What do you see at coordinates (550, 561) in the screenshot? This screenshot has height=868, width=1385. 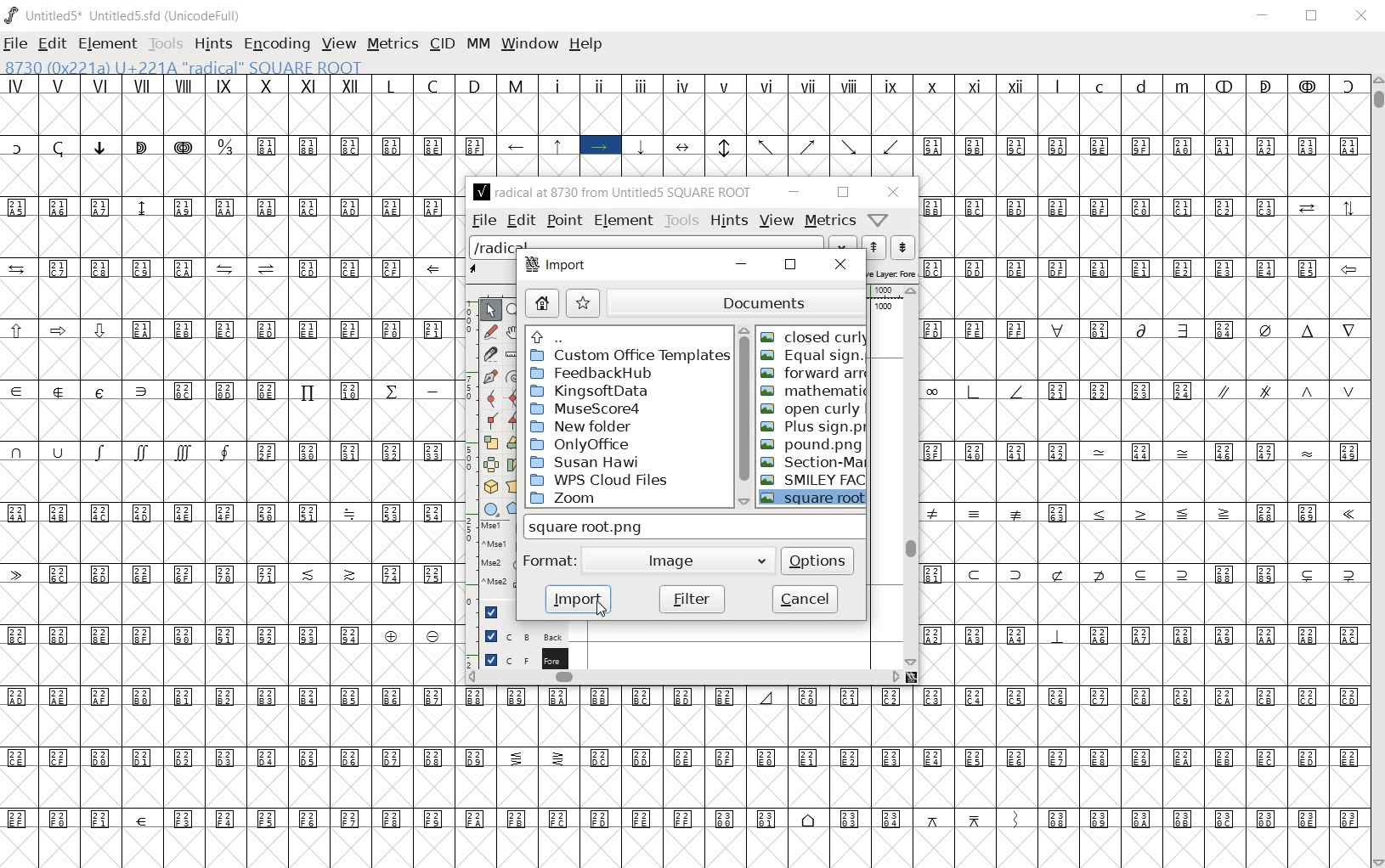 I see `format` at bounding box center [550, 561].